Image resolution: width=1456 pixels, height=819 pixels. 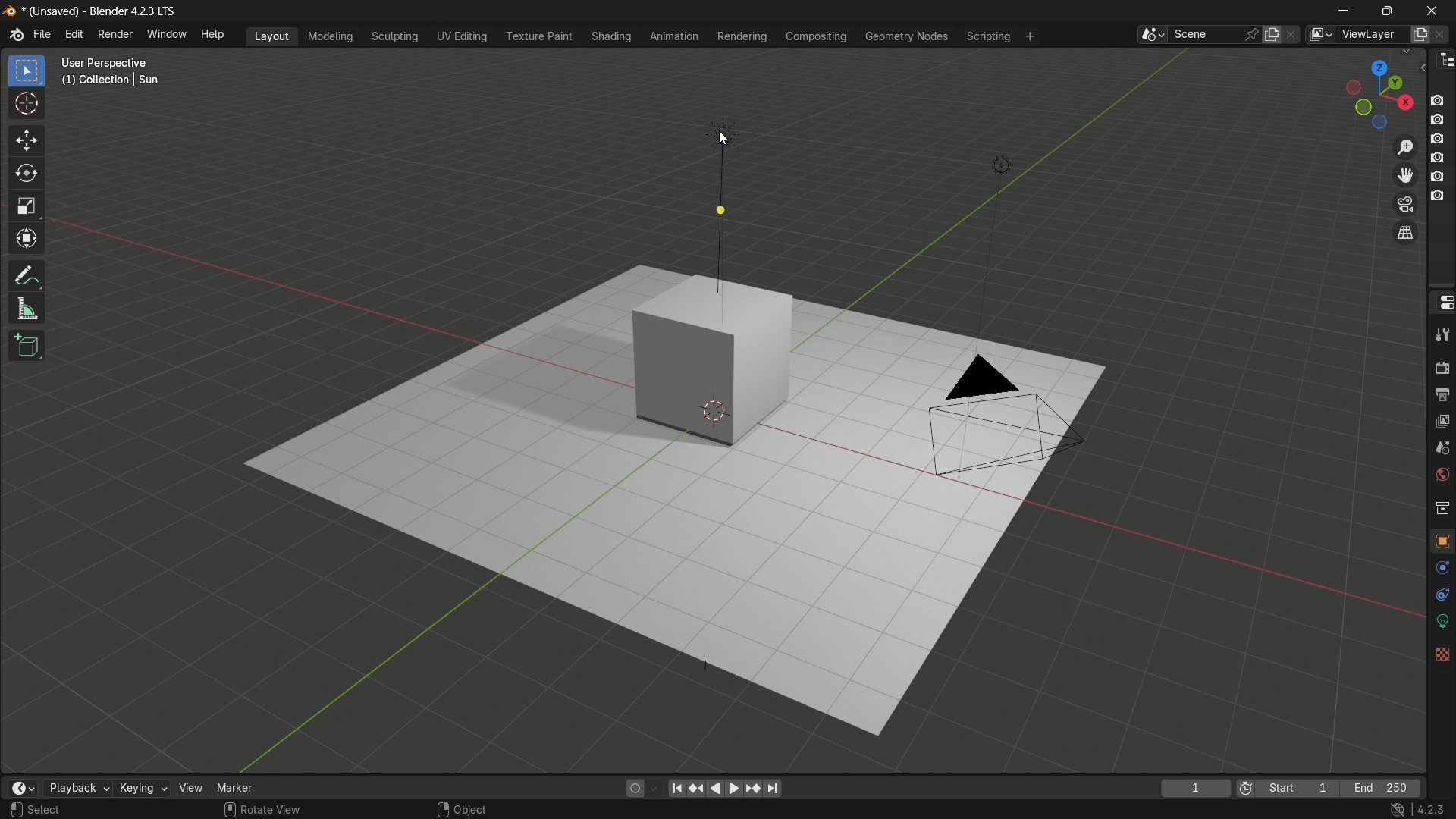 I want to click on (1) Collection | Sun, so click(x=111, y=80).